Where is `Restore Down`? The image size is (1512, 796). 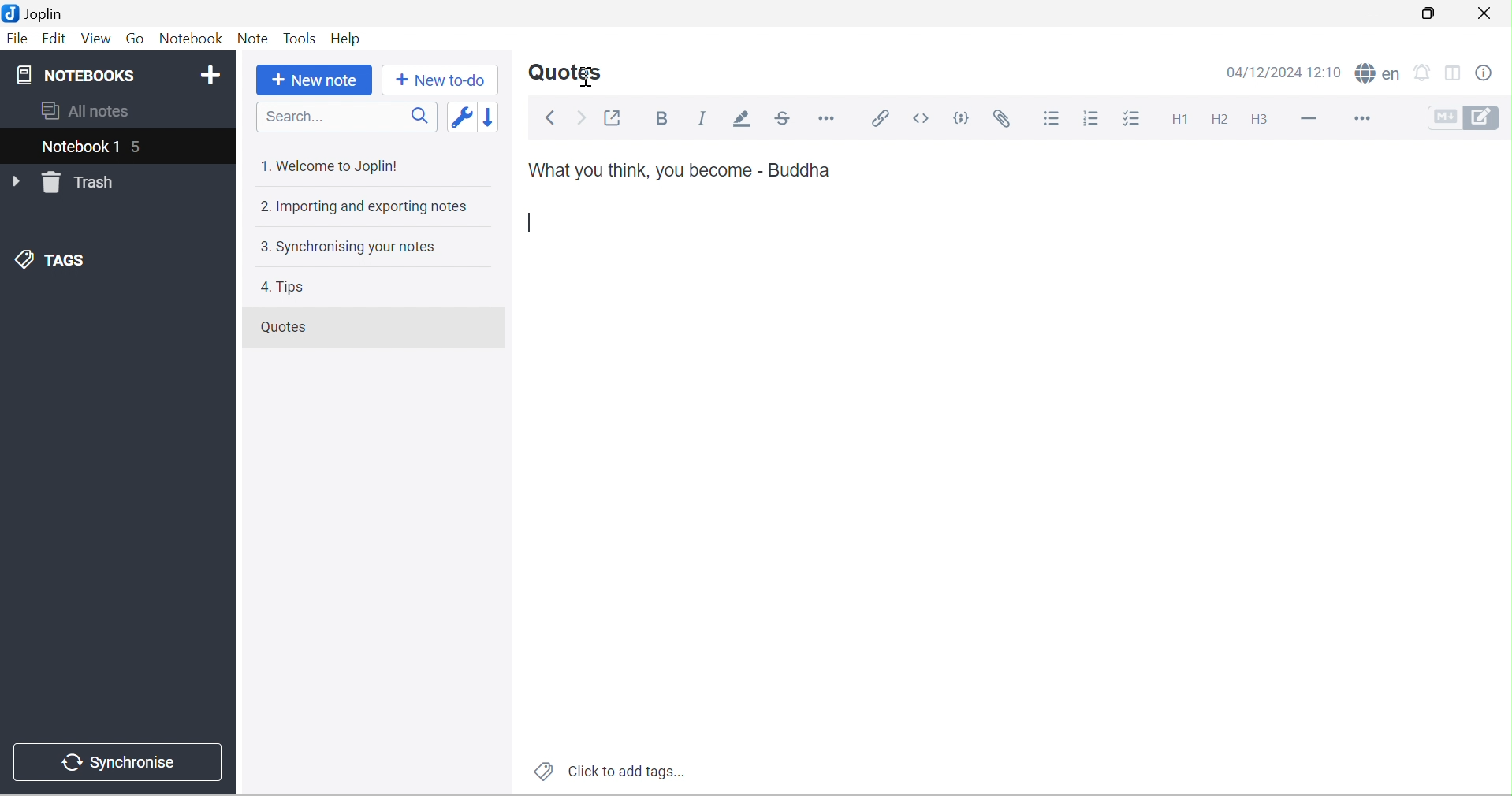 Restore Down is located at coordinates (1432, 13).